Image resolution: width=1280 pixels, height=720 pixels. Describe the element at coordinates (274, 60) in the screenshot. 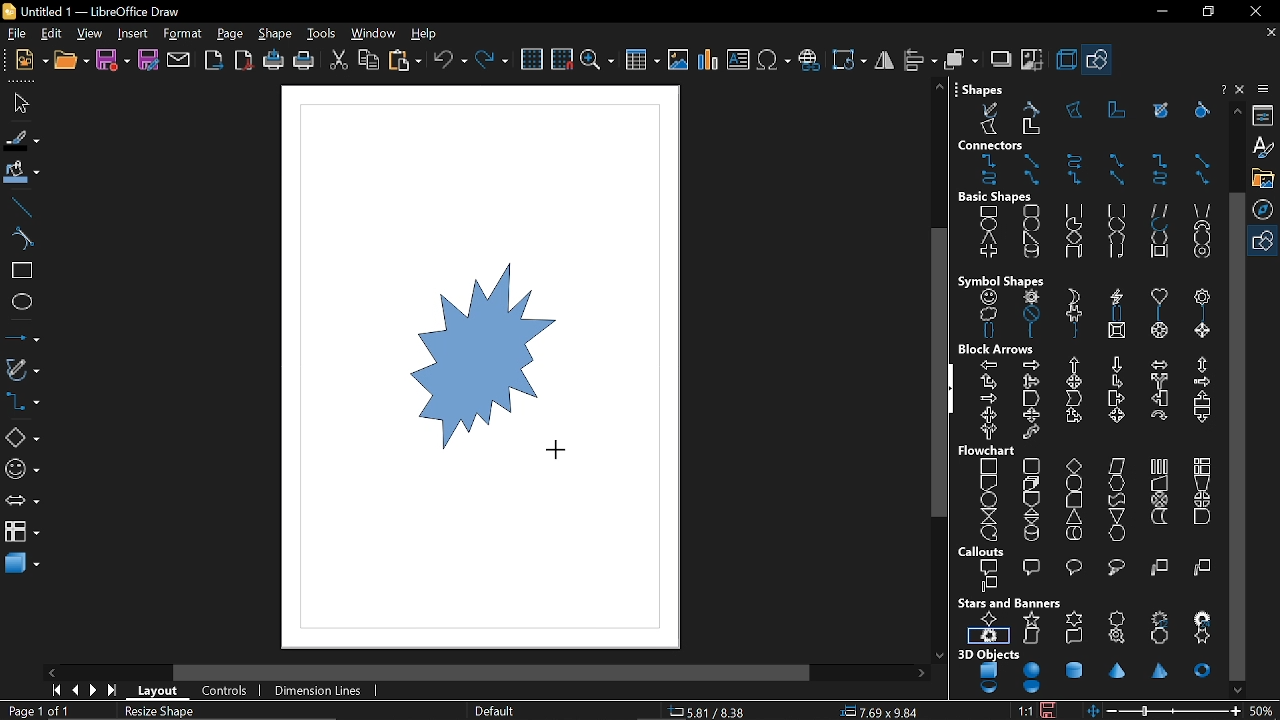

I see `print directly` at that location.